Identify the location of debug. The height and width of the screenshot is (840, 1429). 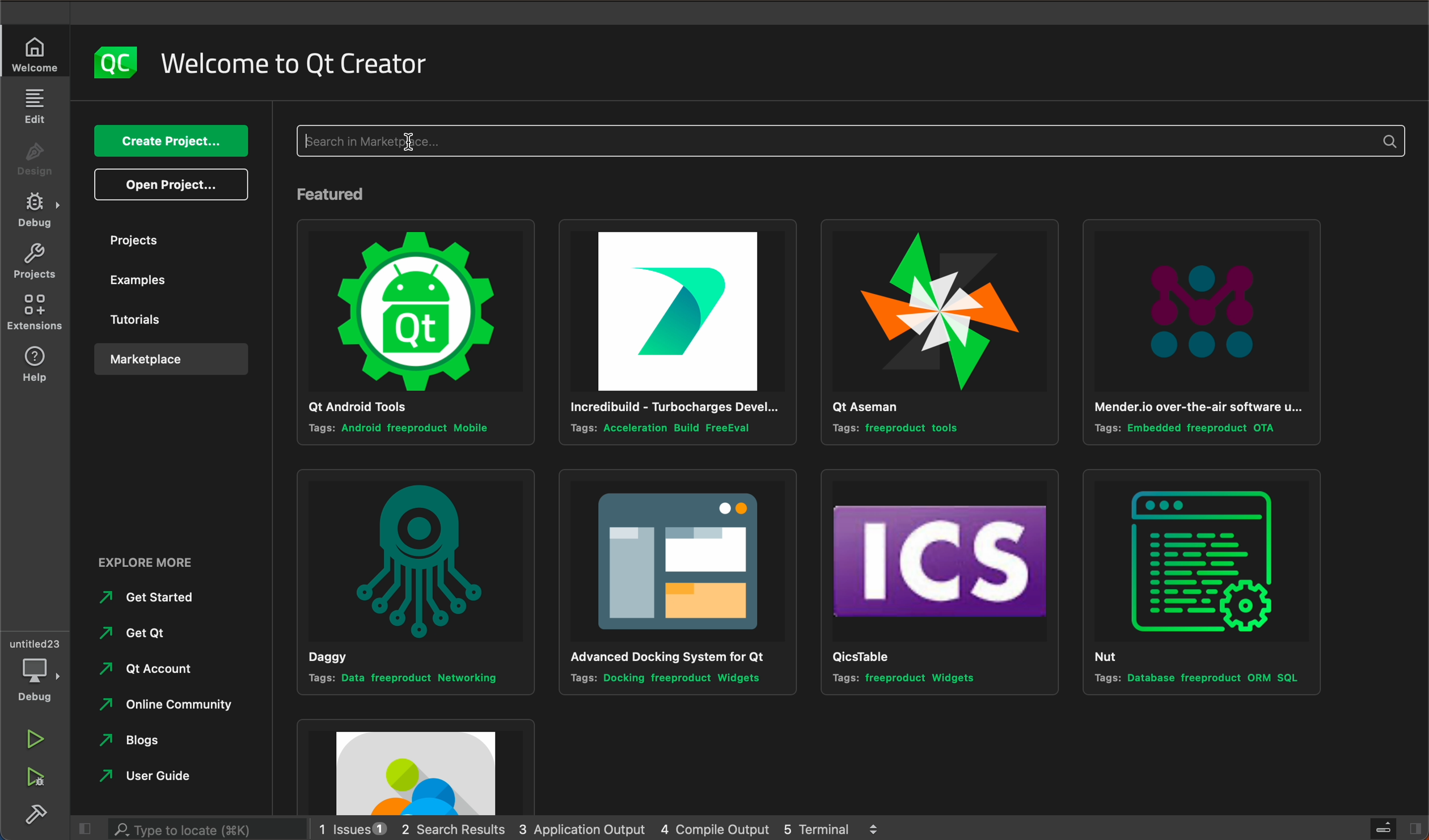
(35, 211).